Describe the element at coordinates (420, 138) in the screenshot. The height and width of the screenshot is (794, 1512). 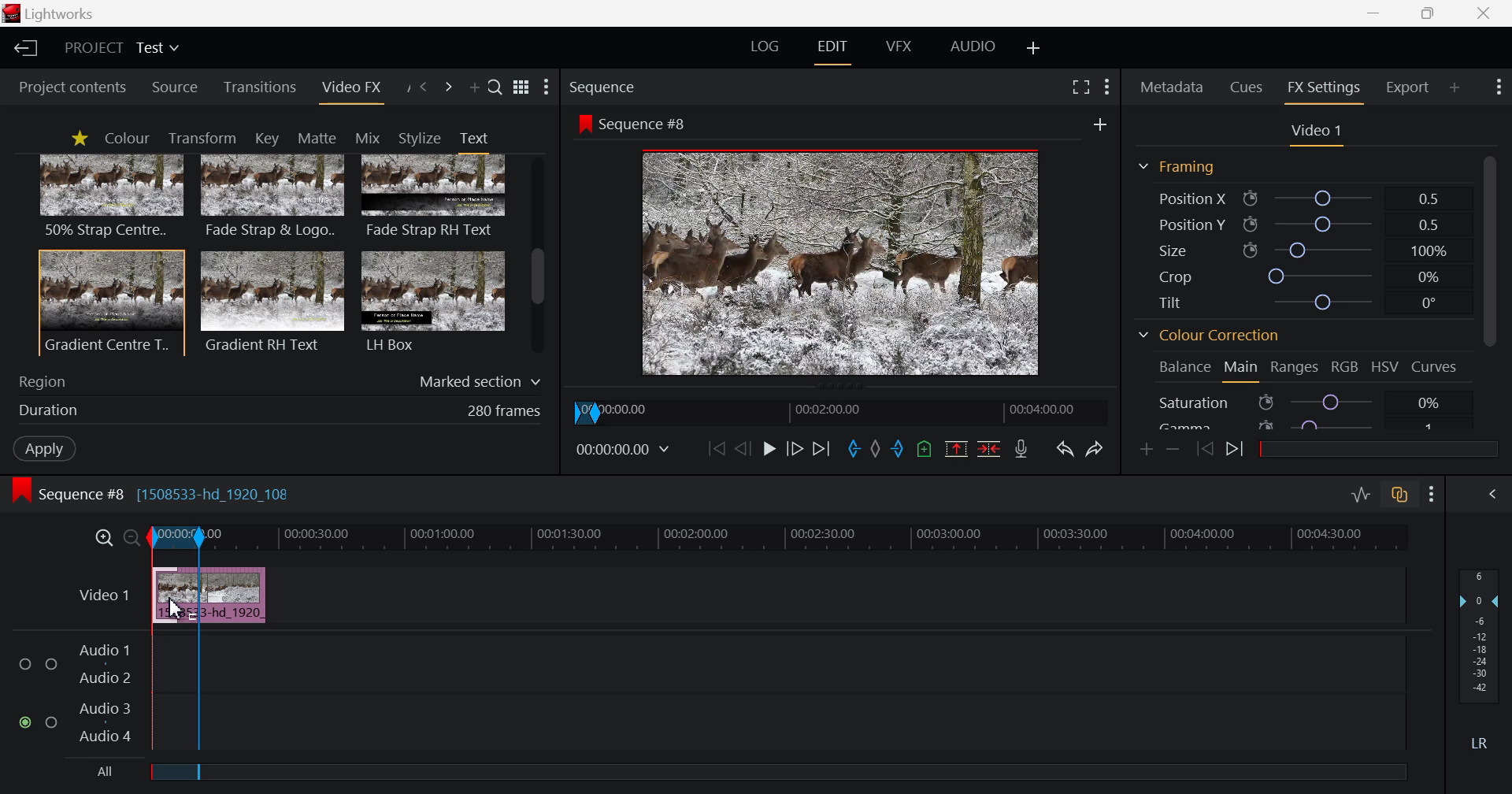
I see `Stylize` at that location.